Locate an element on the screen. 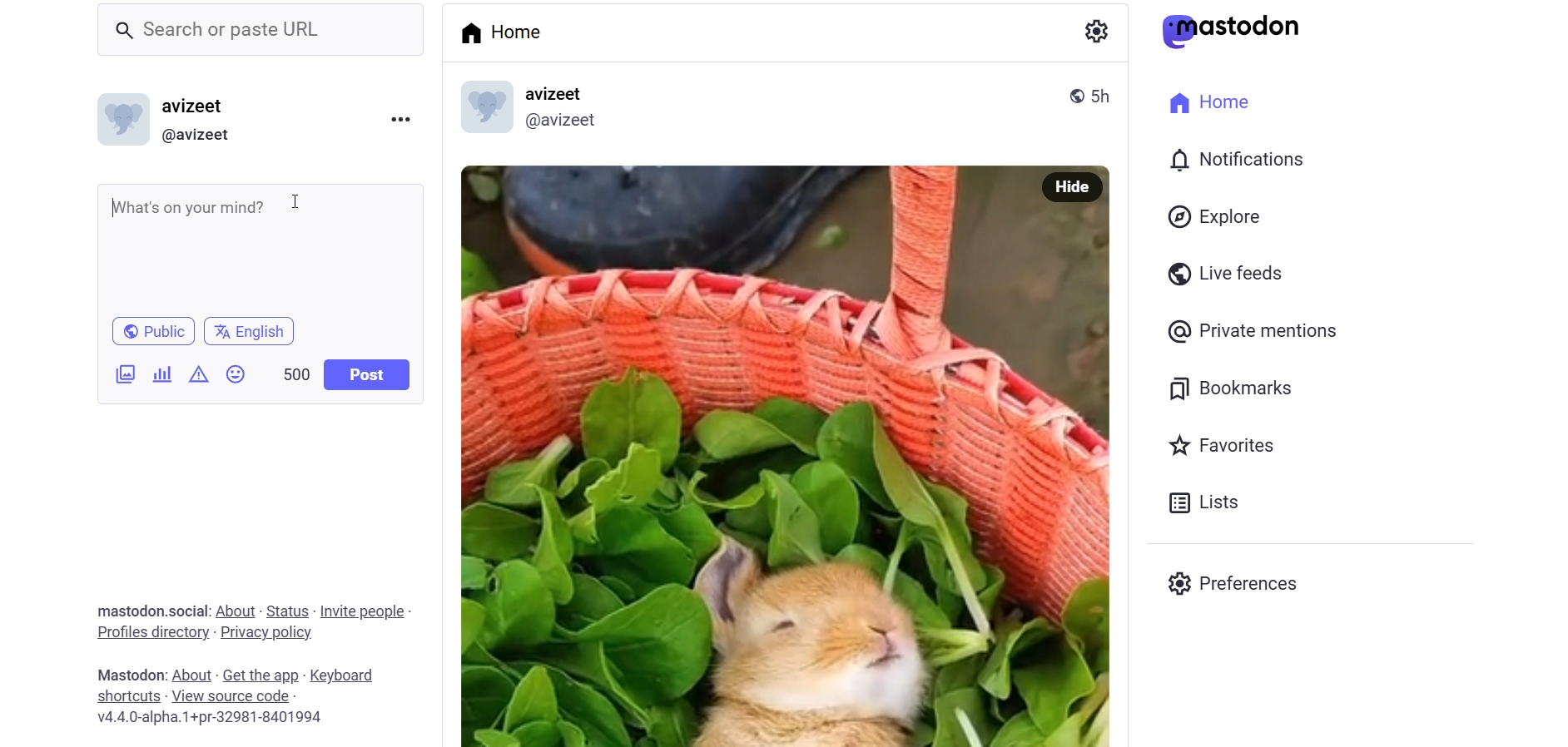 Image resolution: width=1568 pixels, height=747 pixels. post is located at coordinates (371, 375).